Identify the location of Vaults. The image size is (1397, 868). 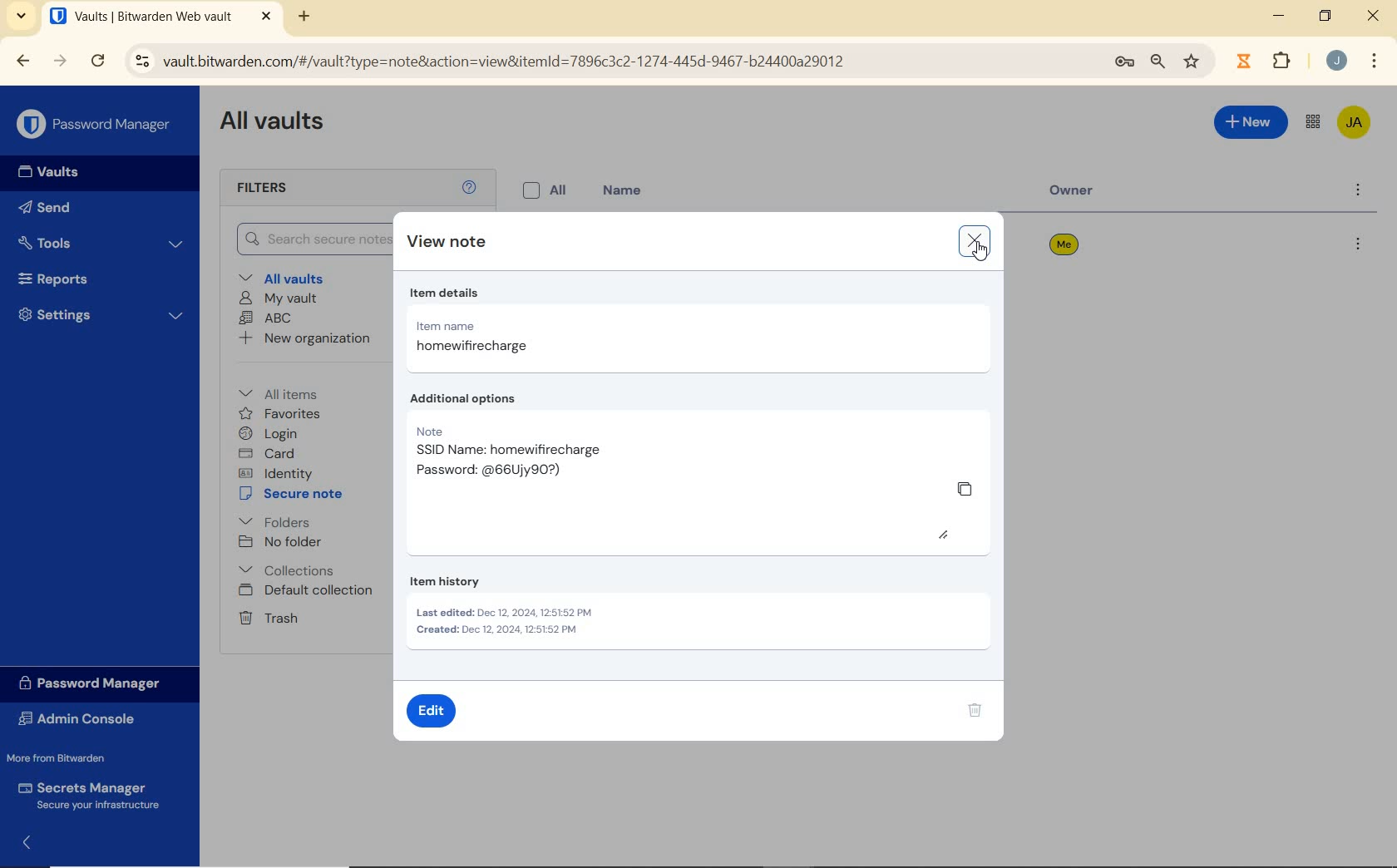
(43, 172).